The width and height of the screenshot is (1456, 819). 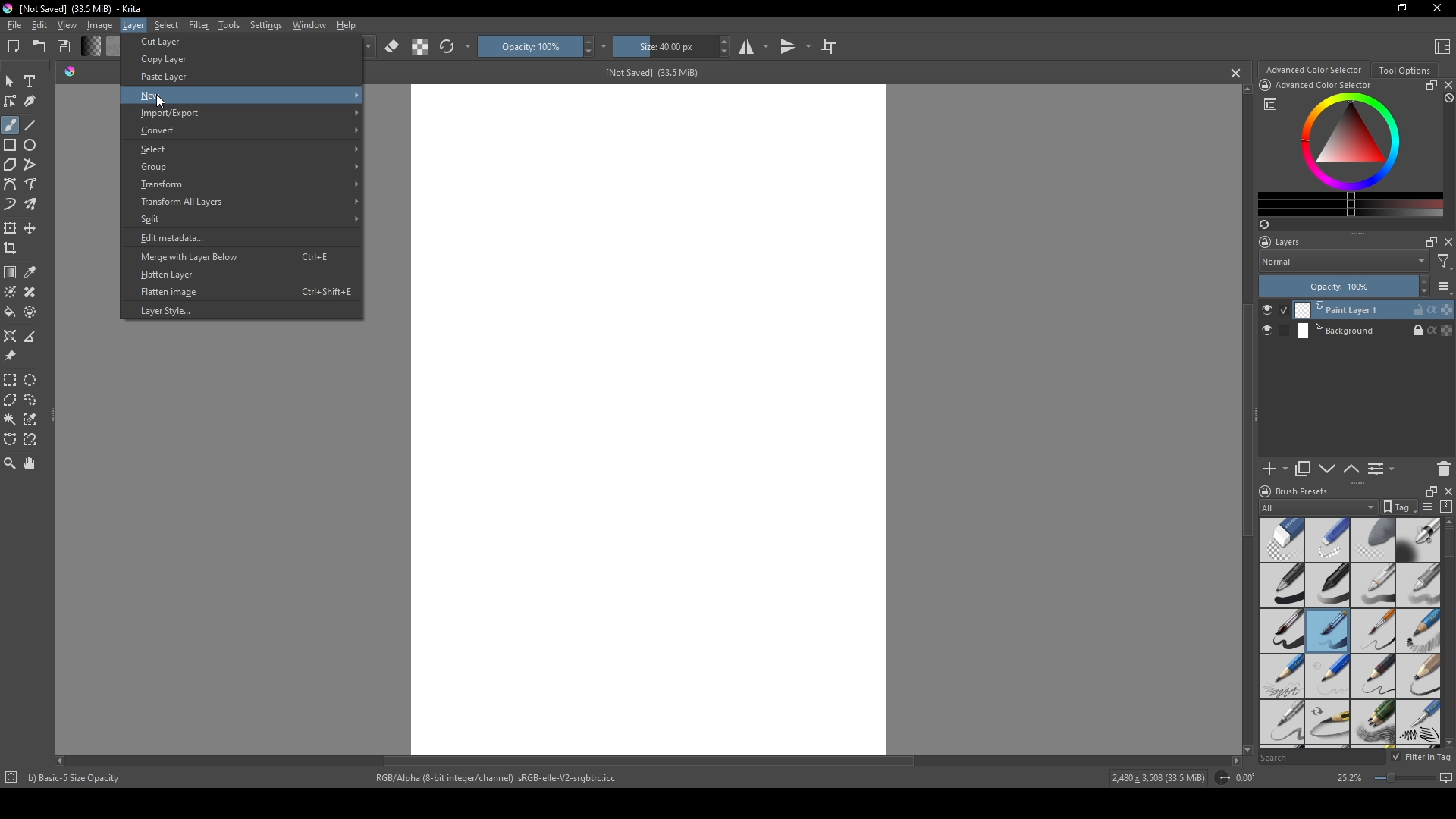 What do you see at coordinates (247, 292) in the screenshot?
I see `Flatten image` at bounding box center [247, 292].